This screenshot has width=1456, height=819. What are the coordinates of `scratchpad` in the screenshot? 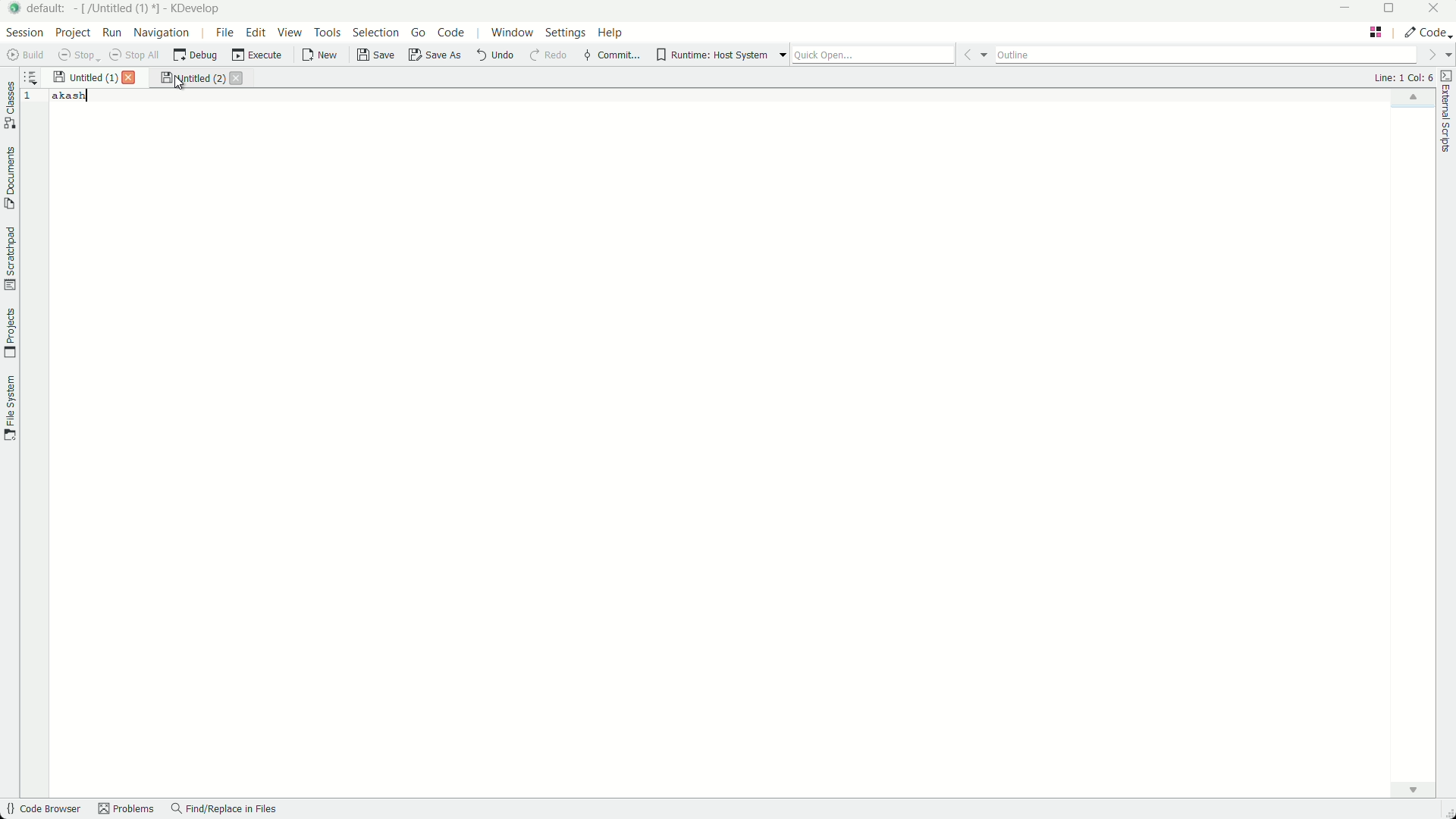 It's located at (11, 257).